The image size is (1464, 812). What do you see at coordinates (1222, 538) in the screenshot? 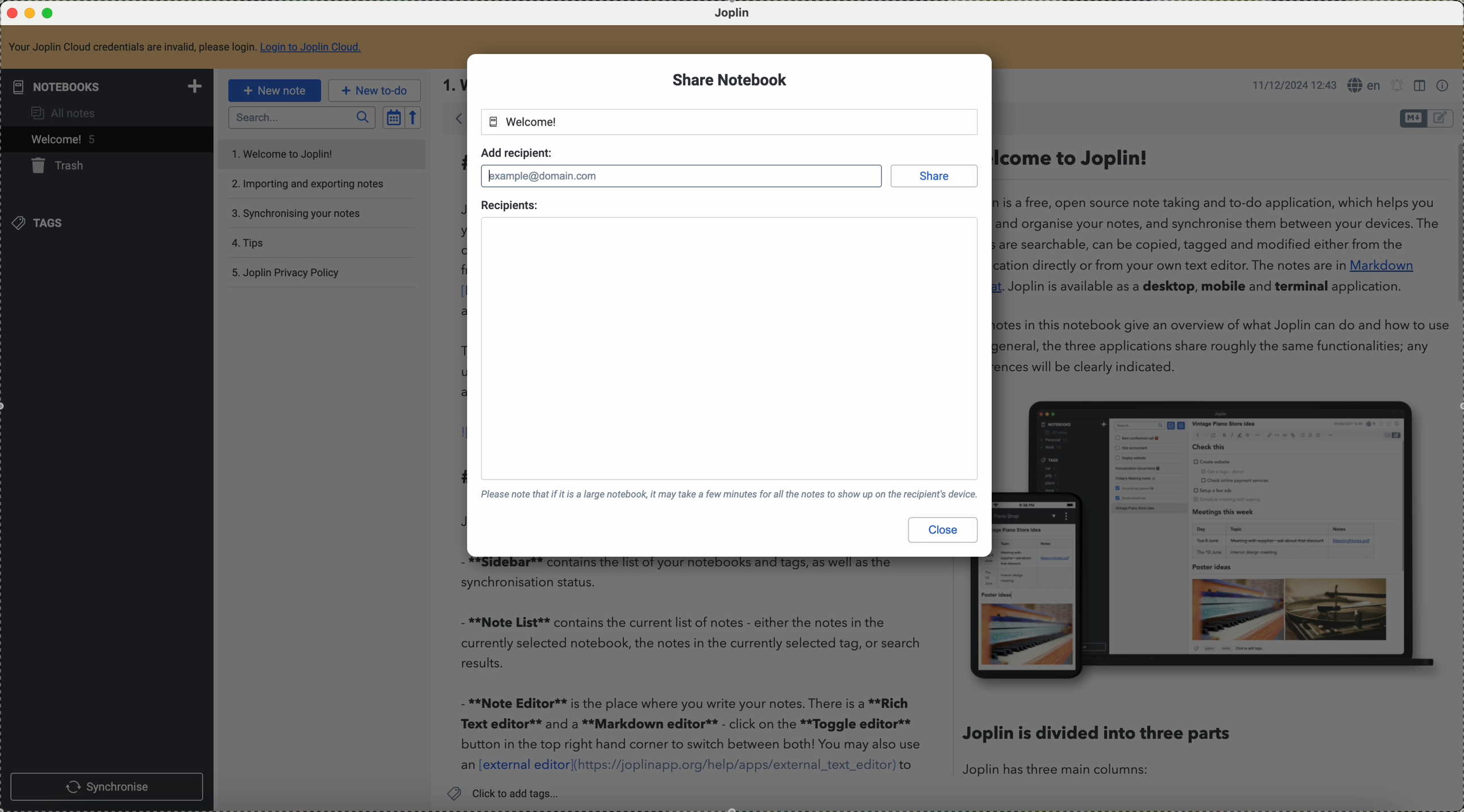
I see `image` at bounding box center [1222, 538].